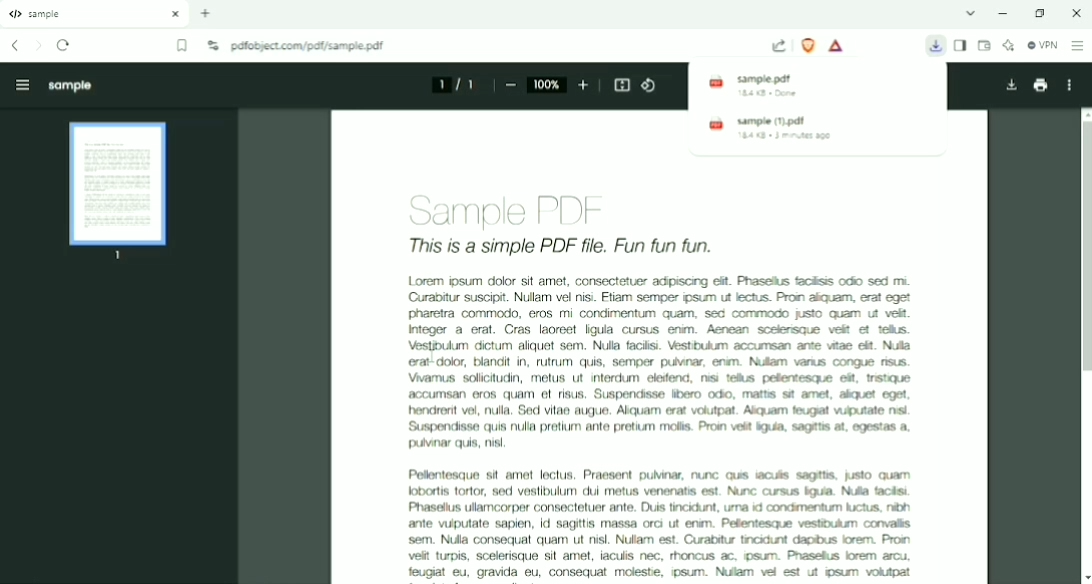 This screenshot has height=584, width=1092. What do you see at coordinates (1010, 86) in the screenshot?
I see `Download` at bounding box center [1010, 86].